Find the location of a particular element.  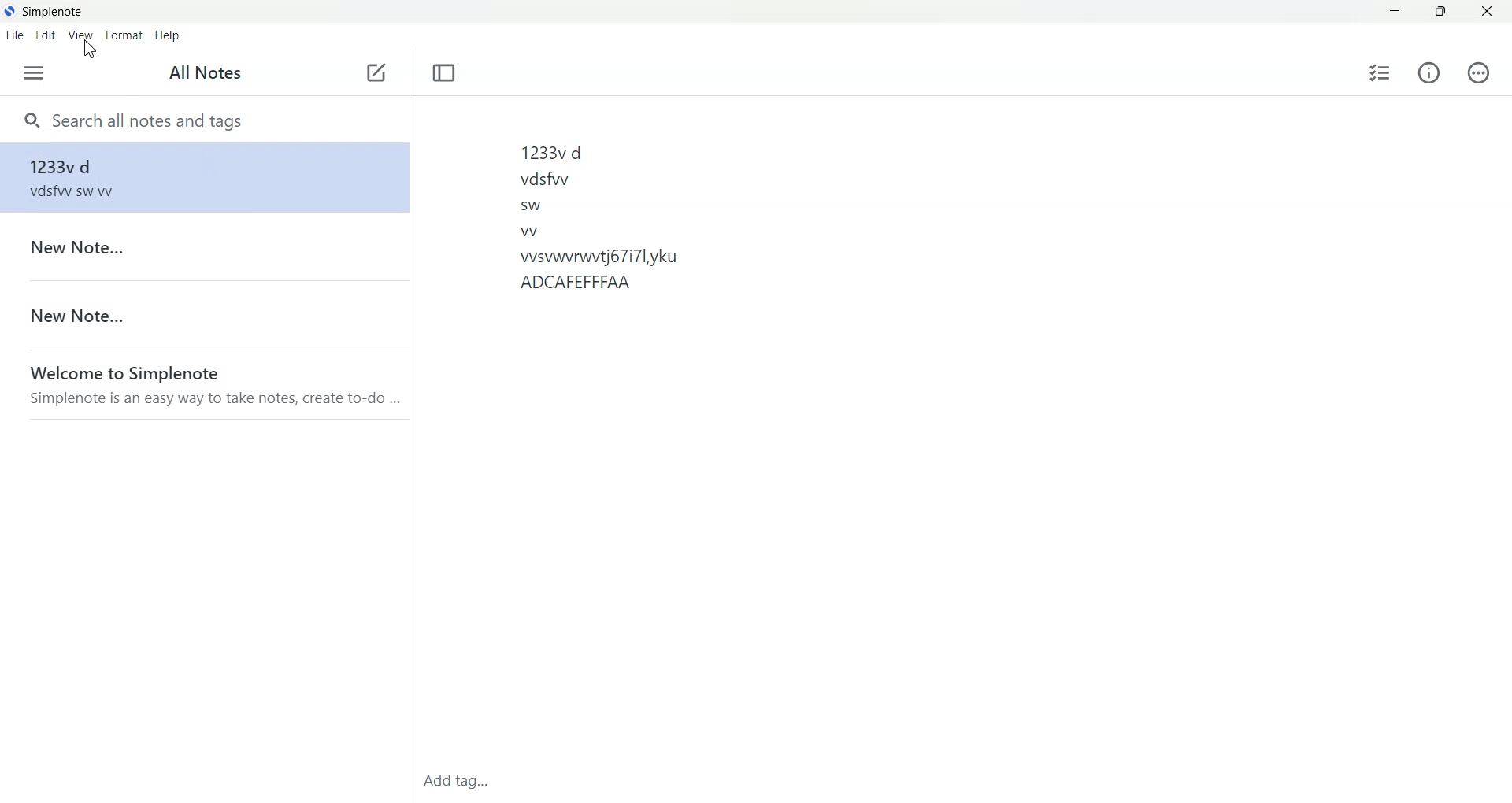

Note File is located at coordinates (204, 246).